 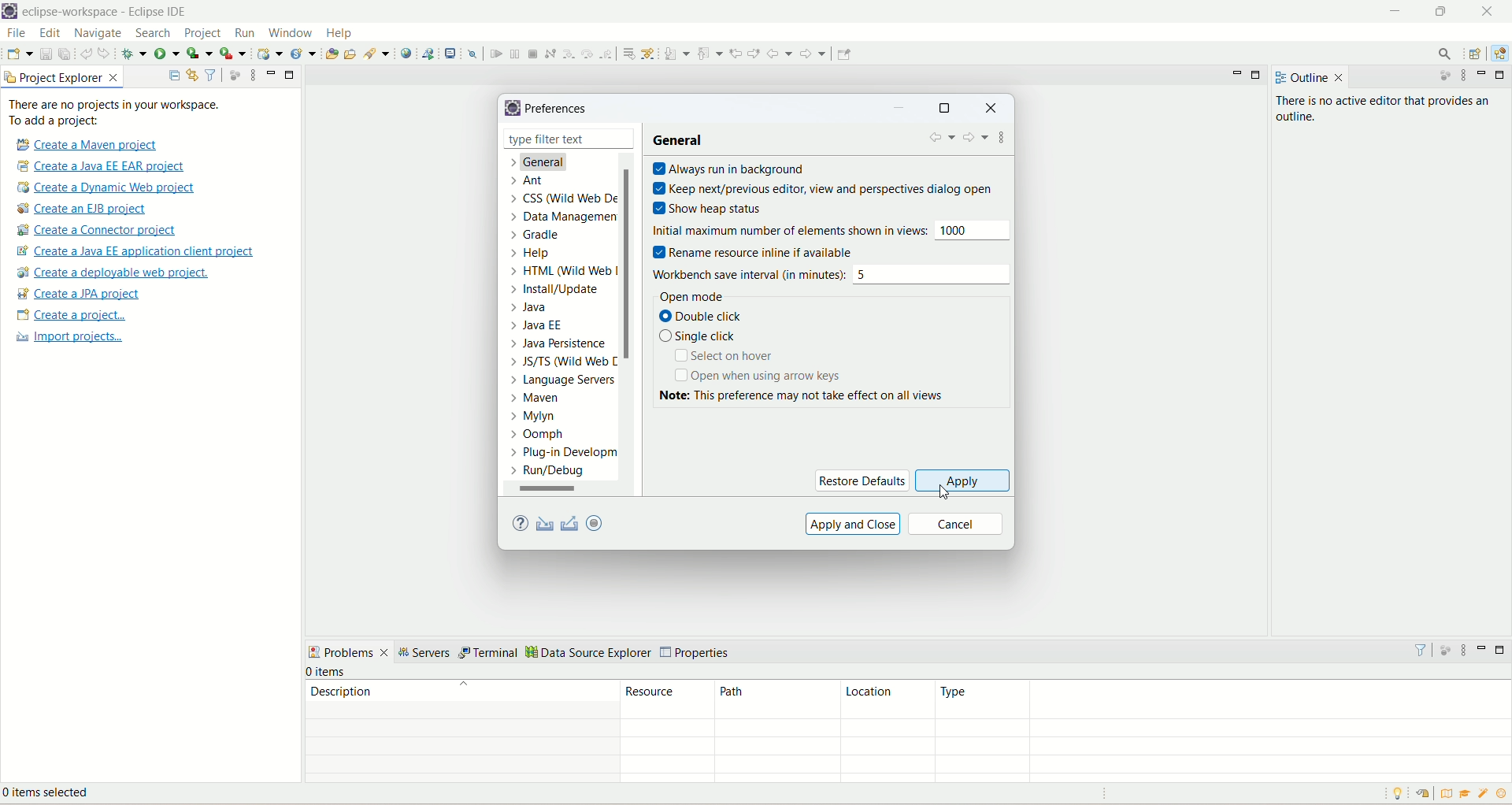 What do you see at coordinates (114, 273) in the screenshot?
I see `create a deployable web project` at bounding box center [114, 273].